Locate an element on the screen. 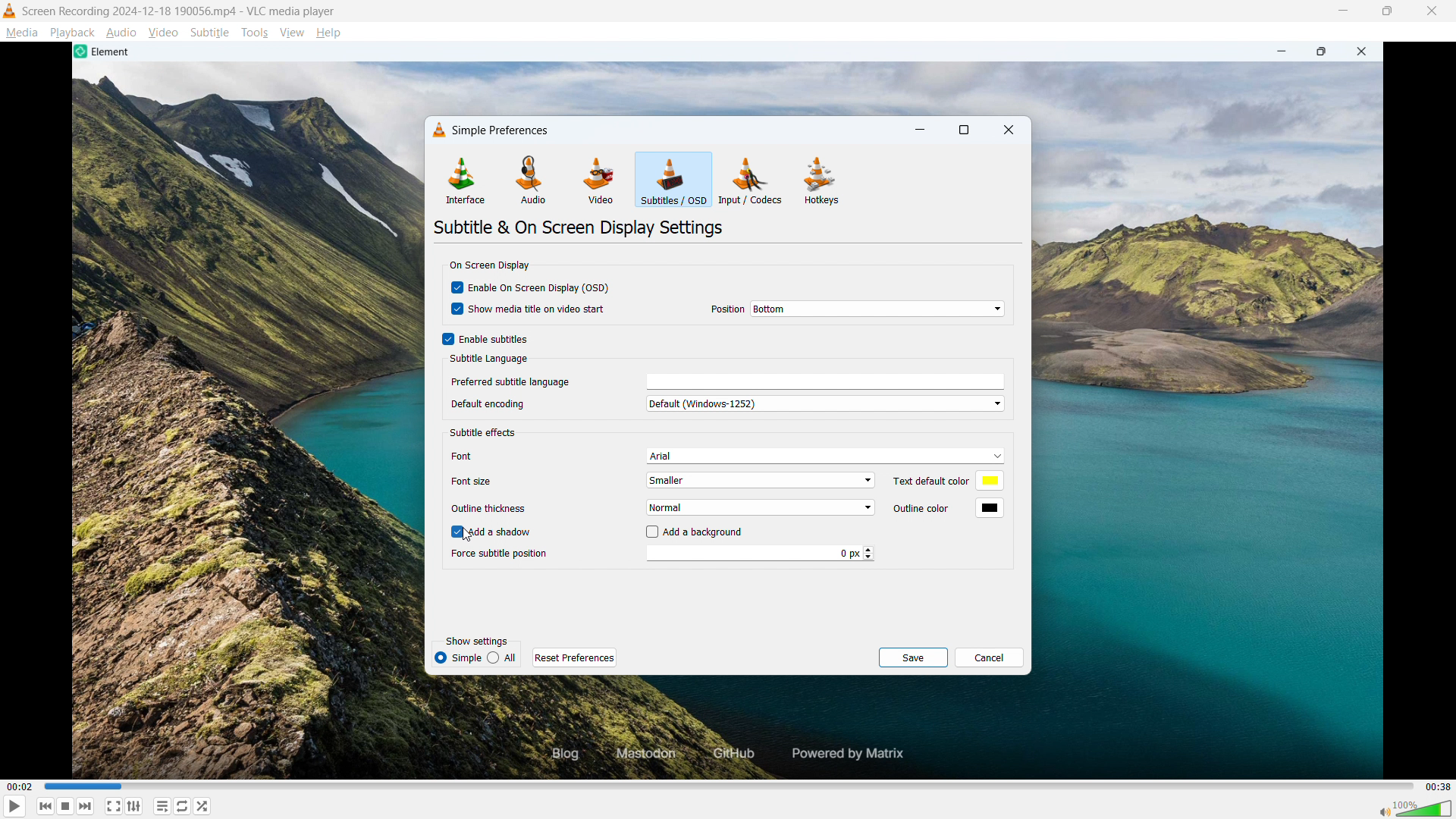  Forward or next media  is located at coordinates (86, 807).